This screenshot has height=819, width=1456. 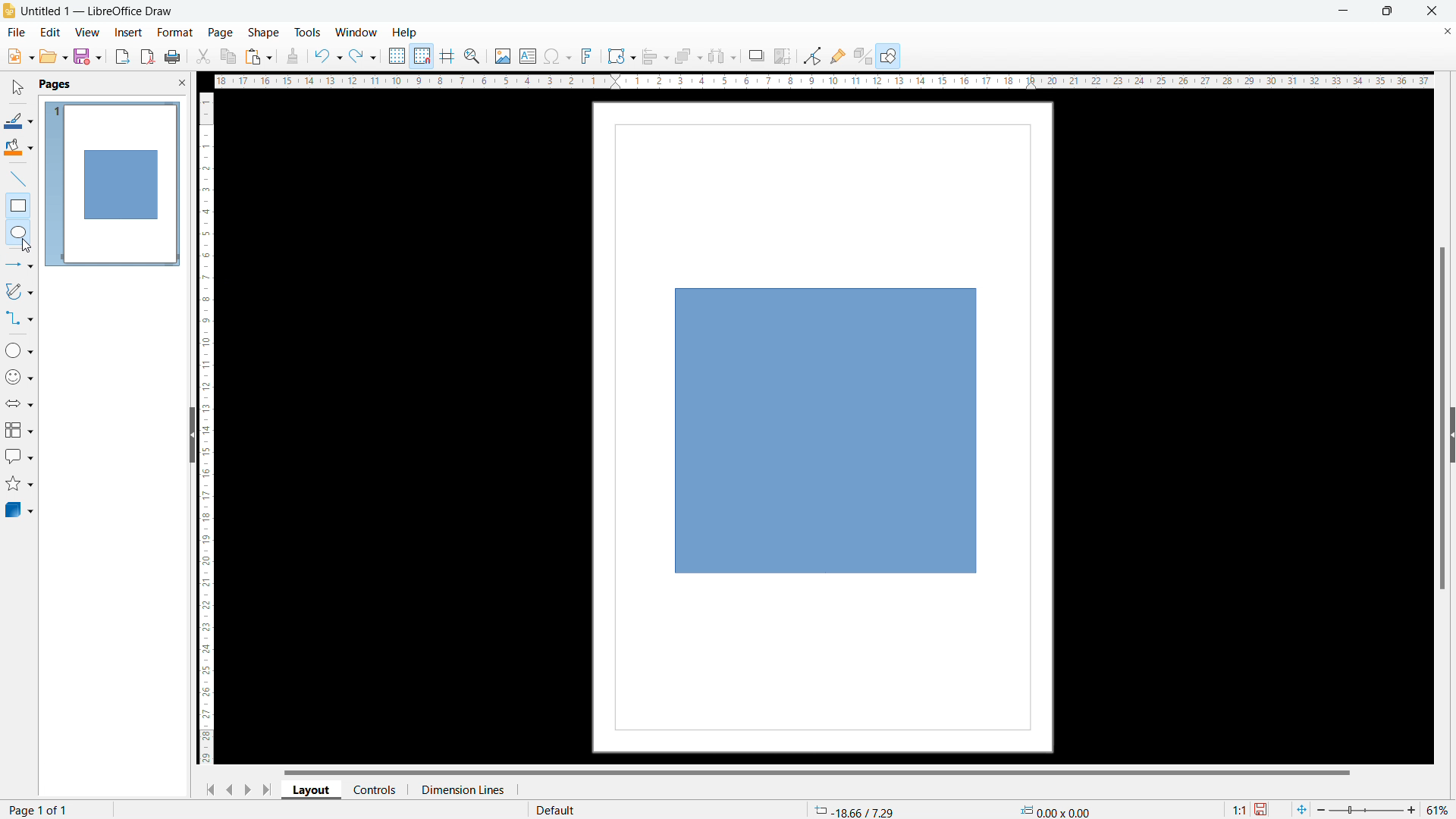 I want to click on fill color, so click(x=19, y=148).